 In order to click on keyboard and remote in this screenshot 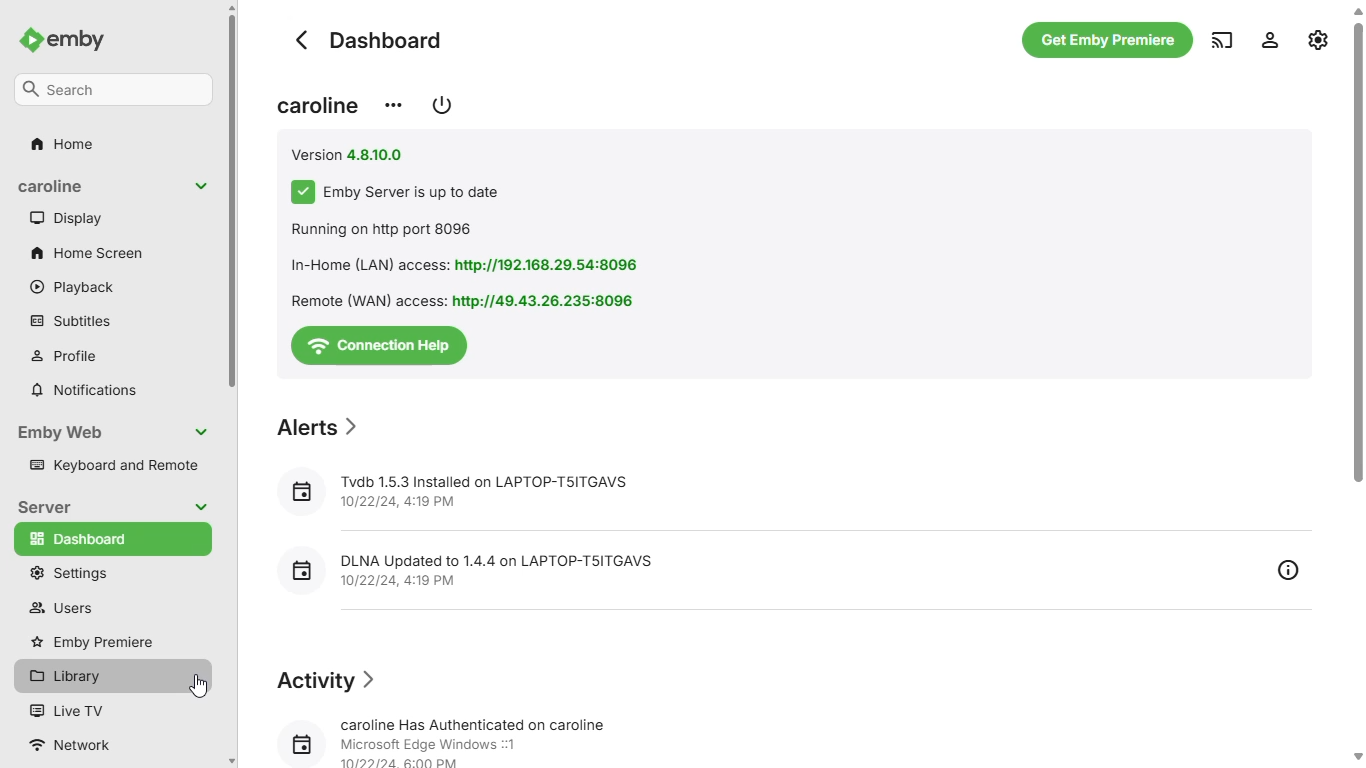, I will do `click(113, 465)`.